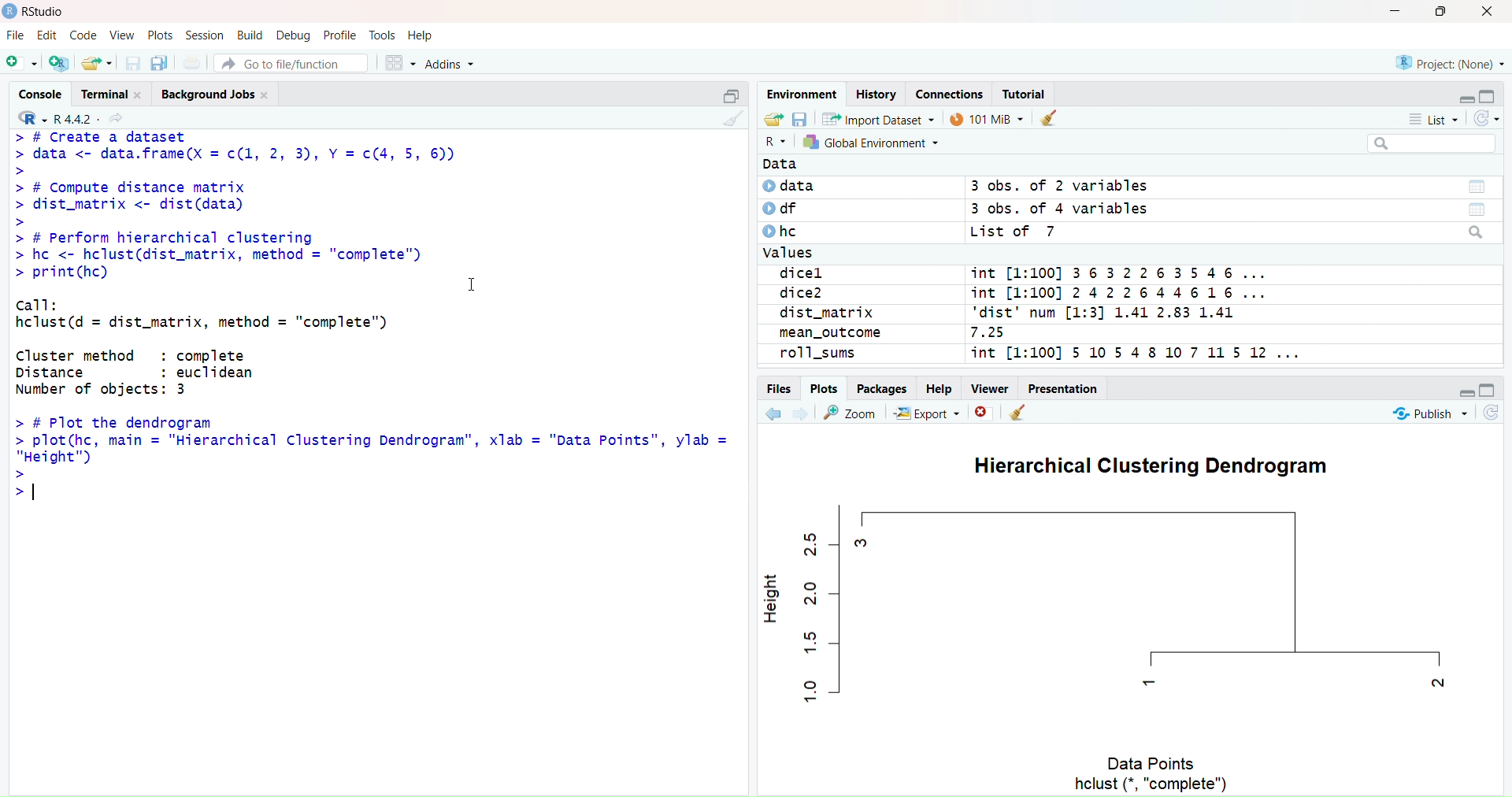 This screenshot has width=1512, height=797. I want to click on Data/Table, so click(1479, 186).